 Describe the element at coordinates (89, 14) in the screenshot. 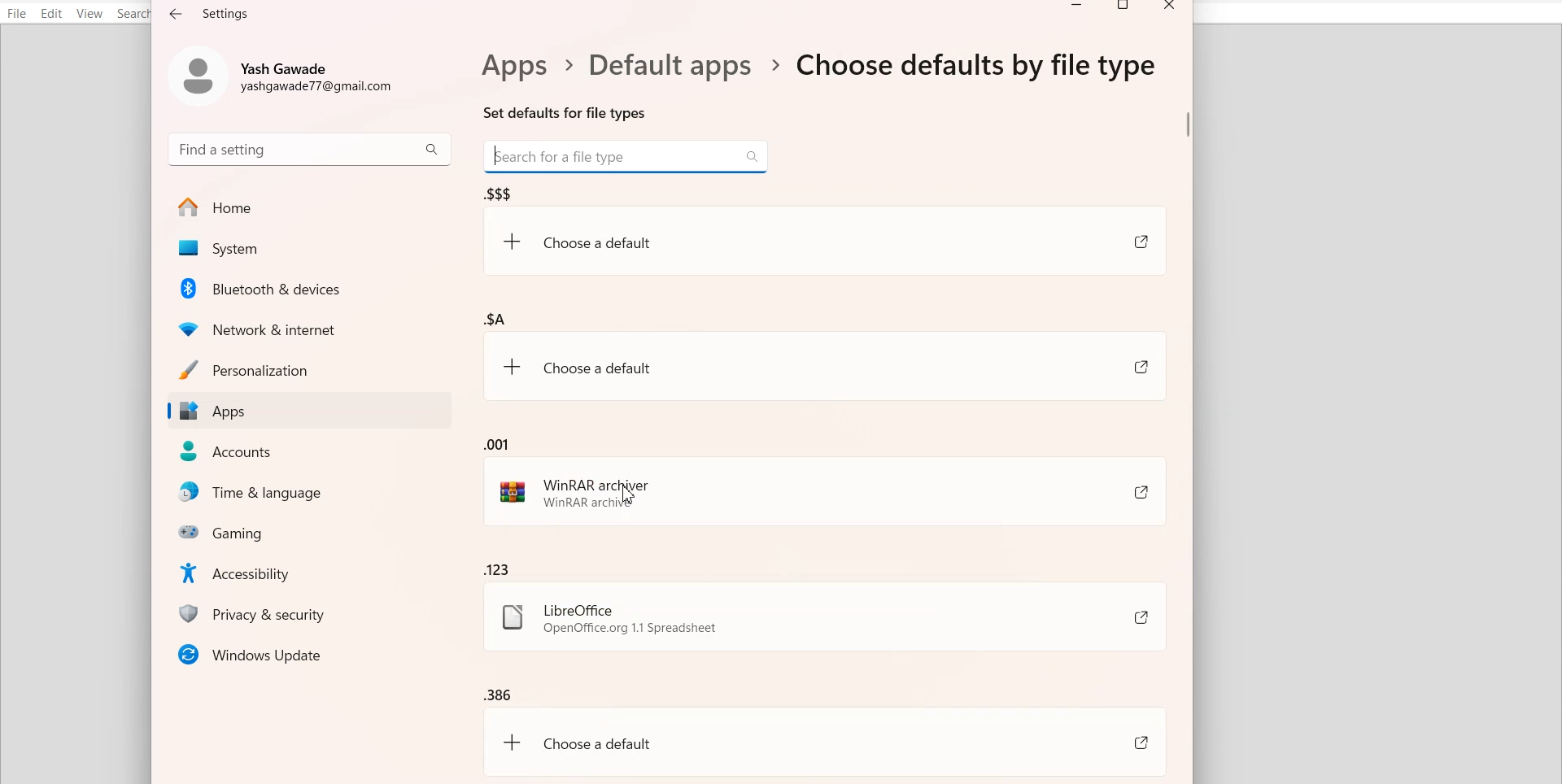

I see `View` at that location.